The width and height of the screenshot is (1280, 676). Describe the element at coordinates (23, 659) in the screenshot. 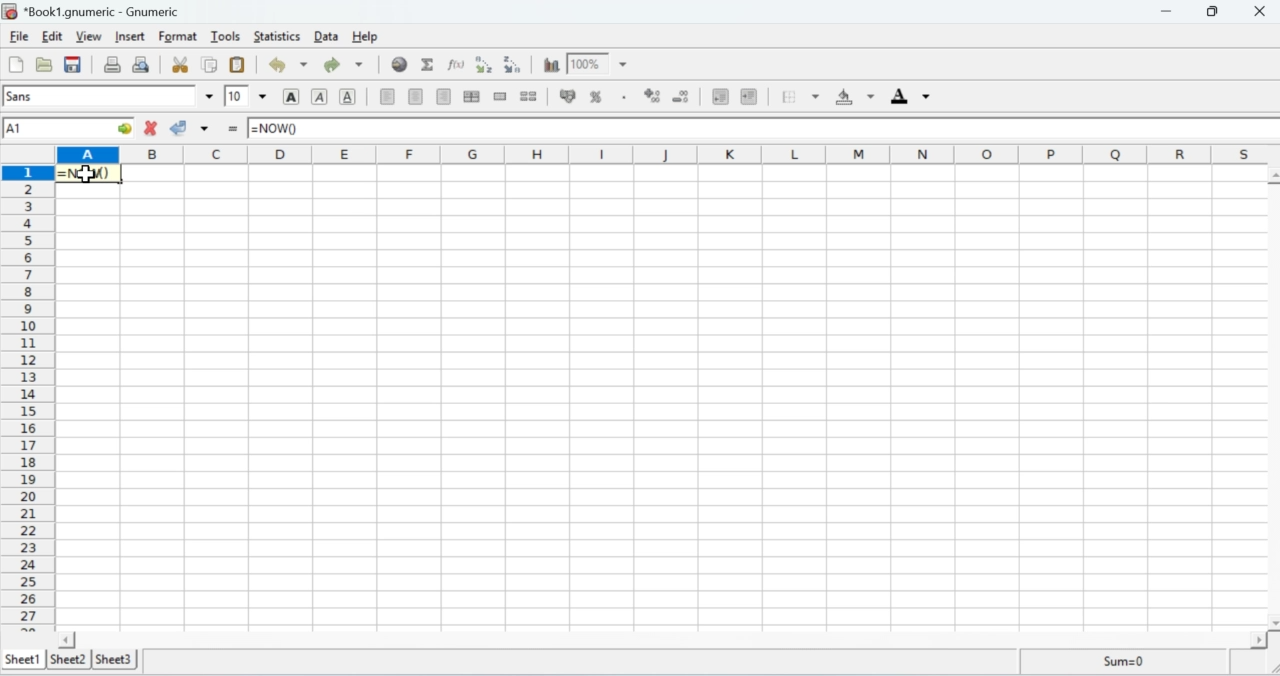

I see `Sheet 1 ` at that location.